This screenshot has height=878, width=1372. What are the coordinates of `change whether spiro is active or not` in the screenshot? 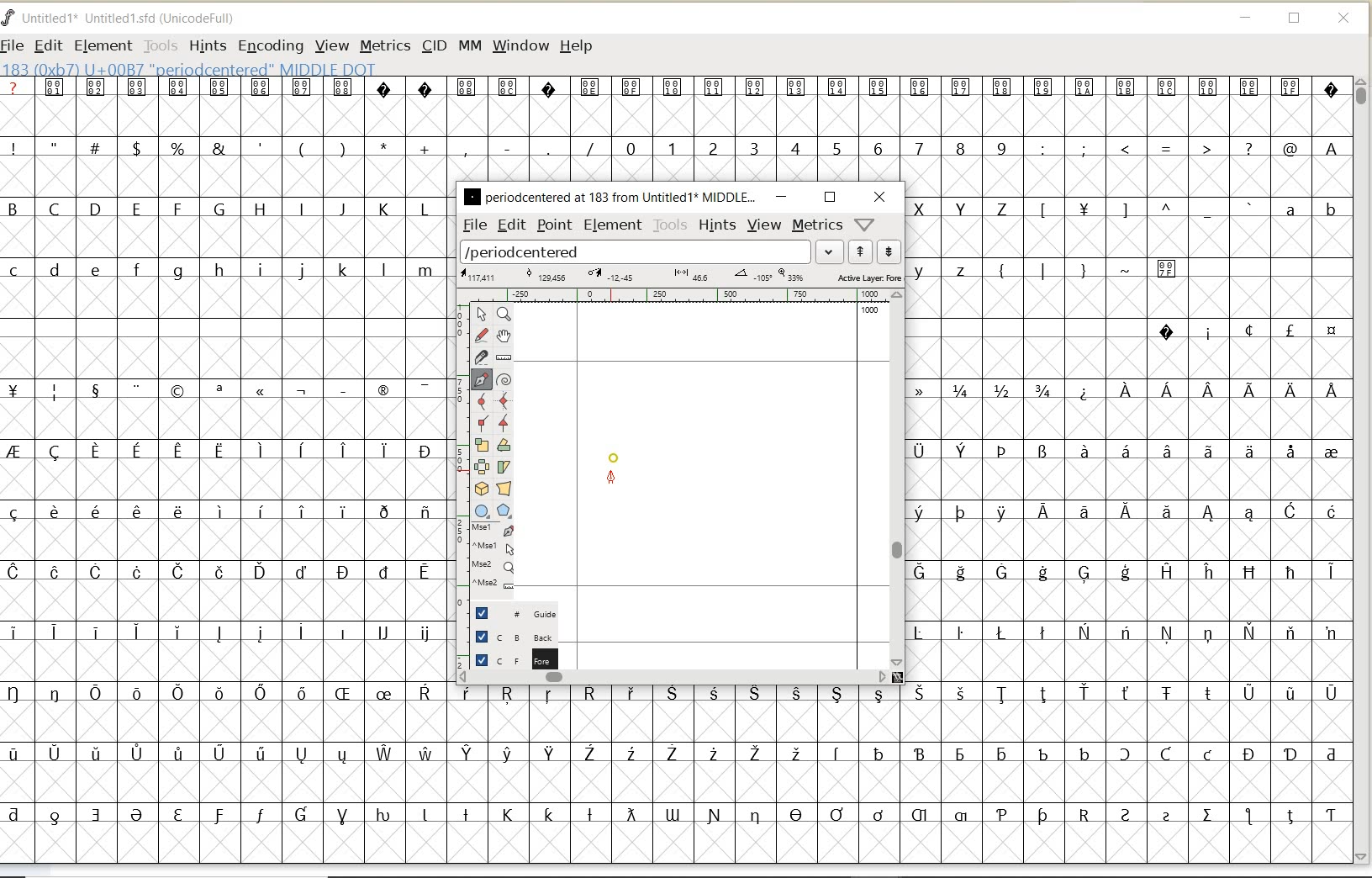 It's located at (504, 378).